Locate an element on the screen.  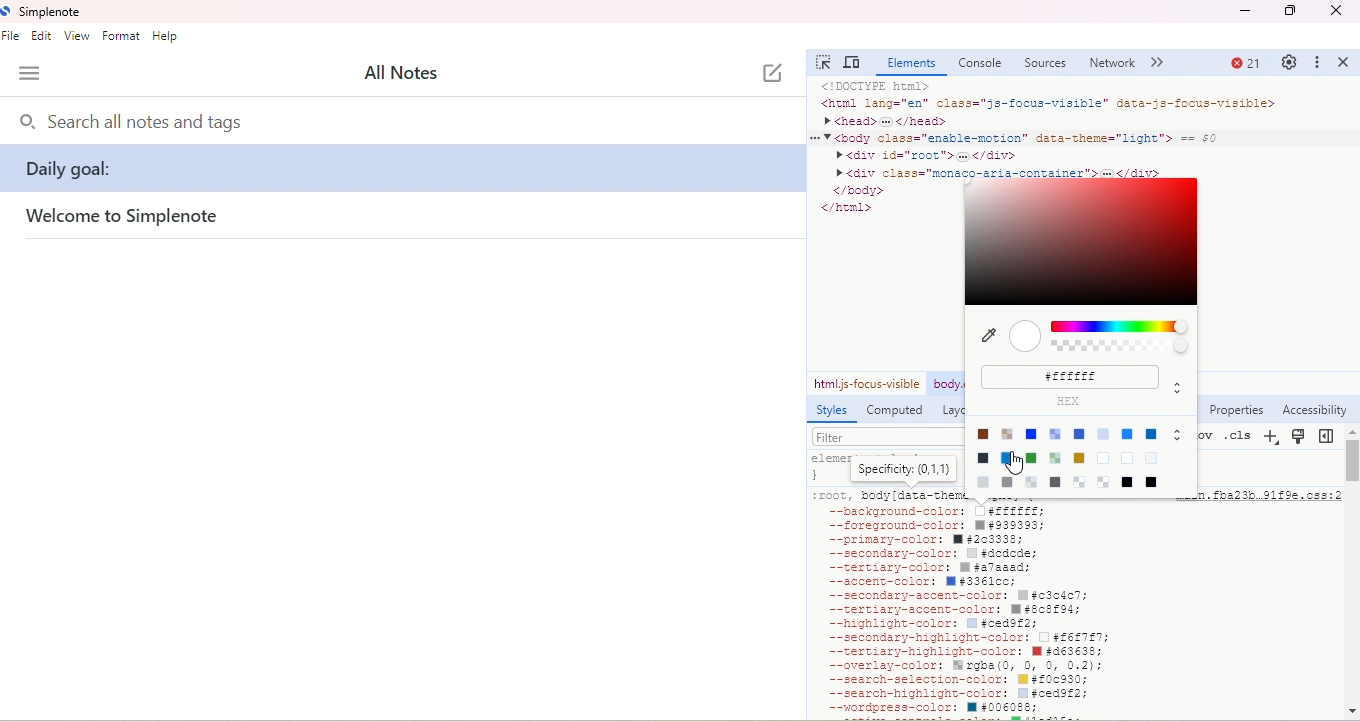
layout is located at coordinates (953, 411).